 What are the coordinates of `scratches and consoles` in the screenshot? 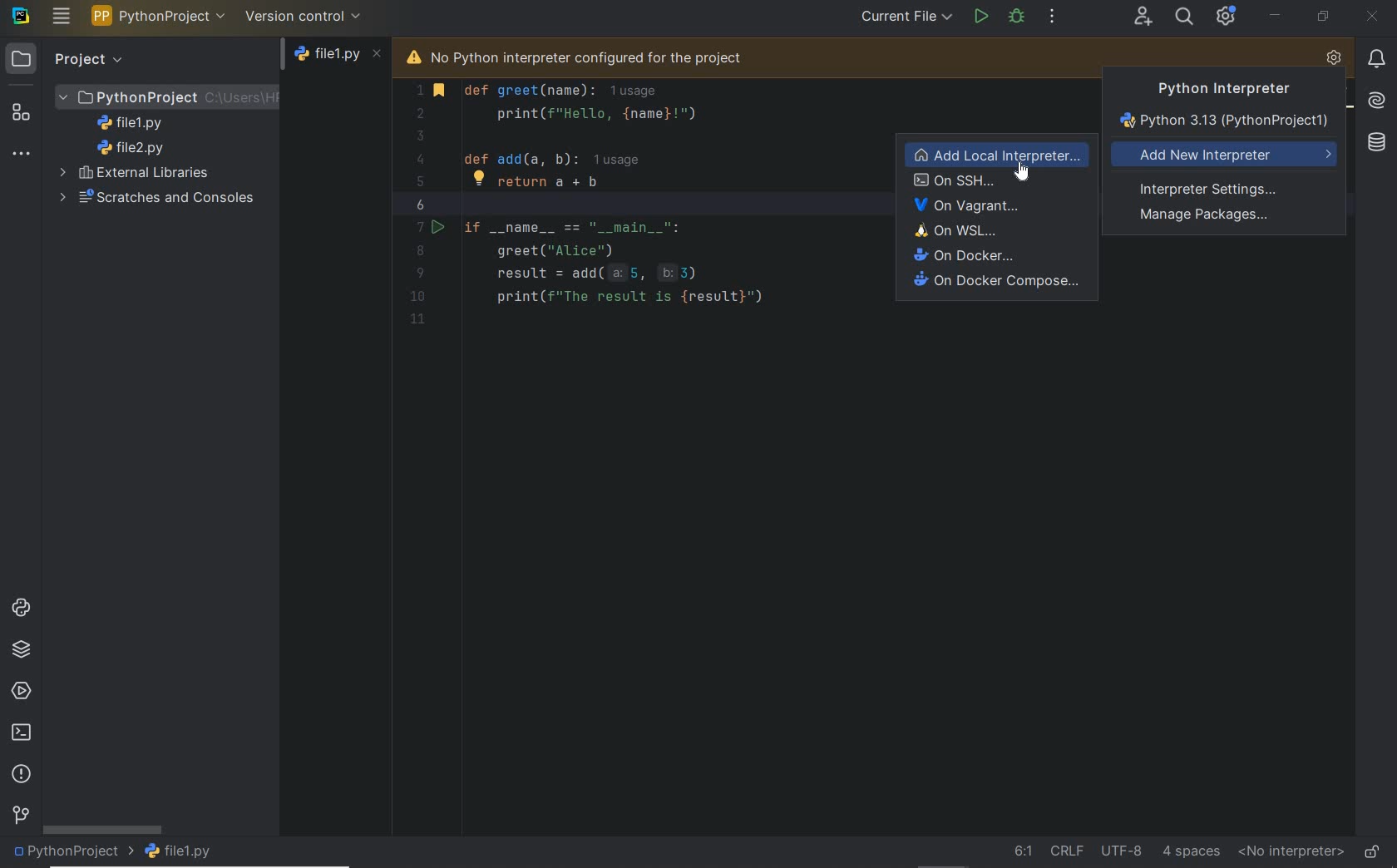 It's located at (152, 199).